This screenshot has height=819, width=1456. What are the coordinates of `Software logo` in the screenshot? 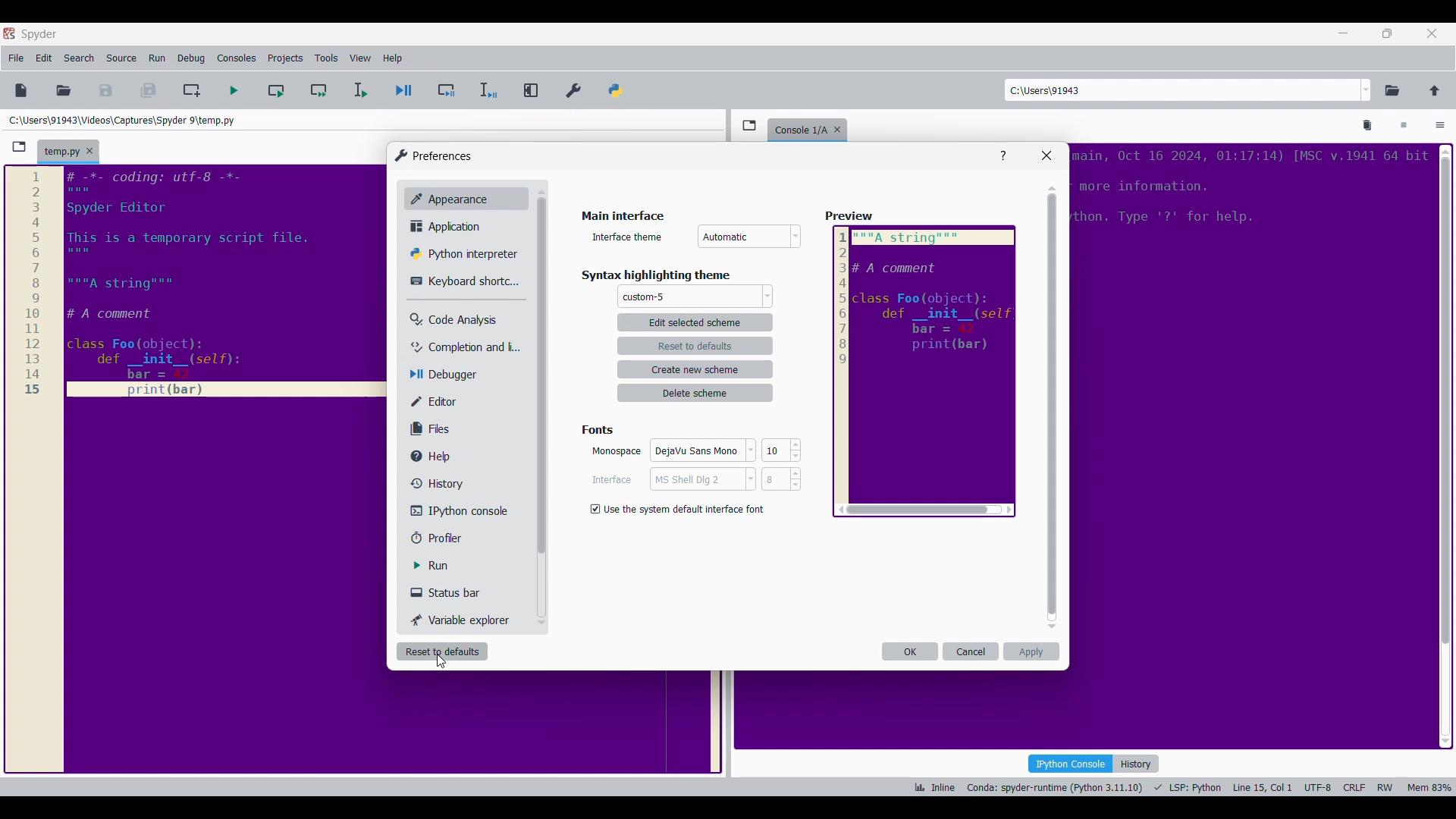 It's located at (10, 33).